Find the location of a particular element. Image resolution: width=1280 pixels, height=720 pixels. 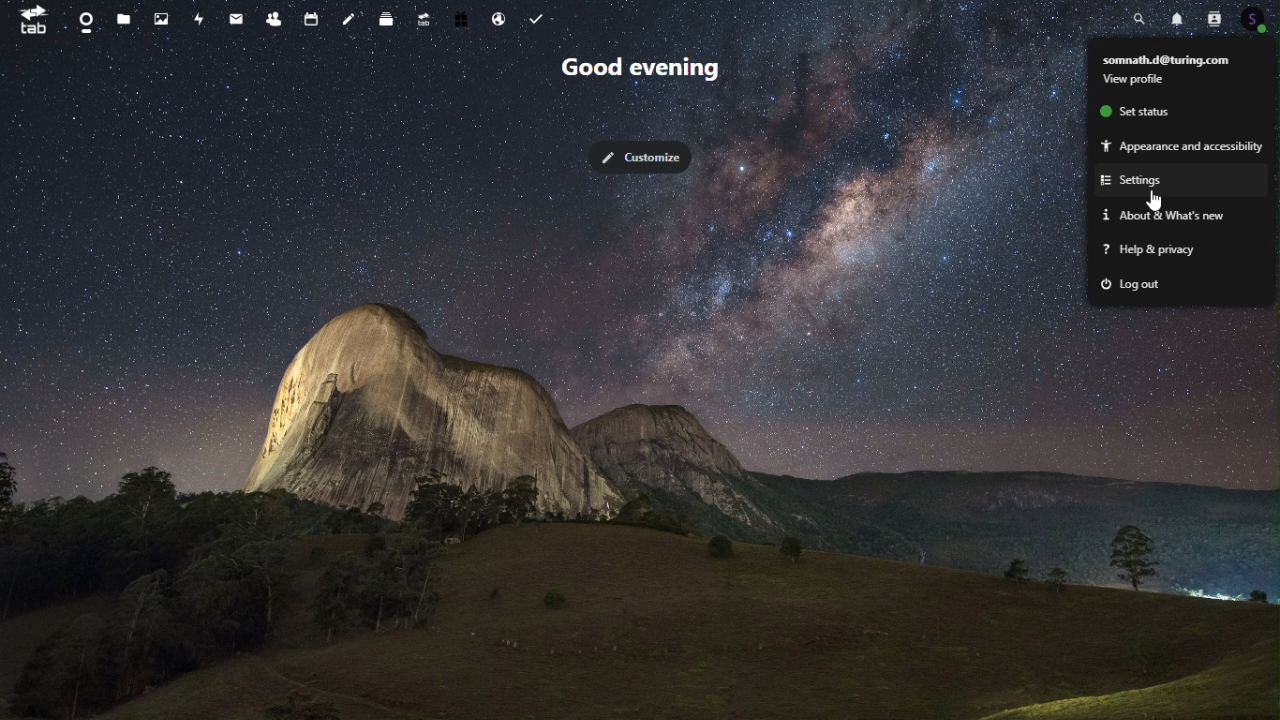

task is located at coordinates (533, 18).